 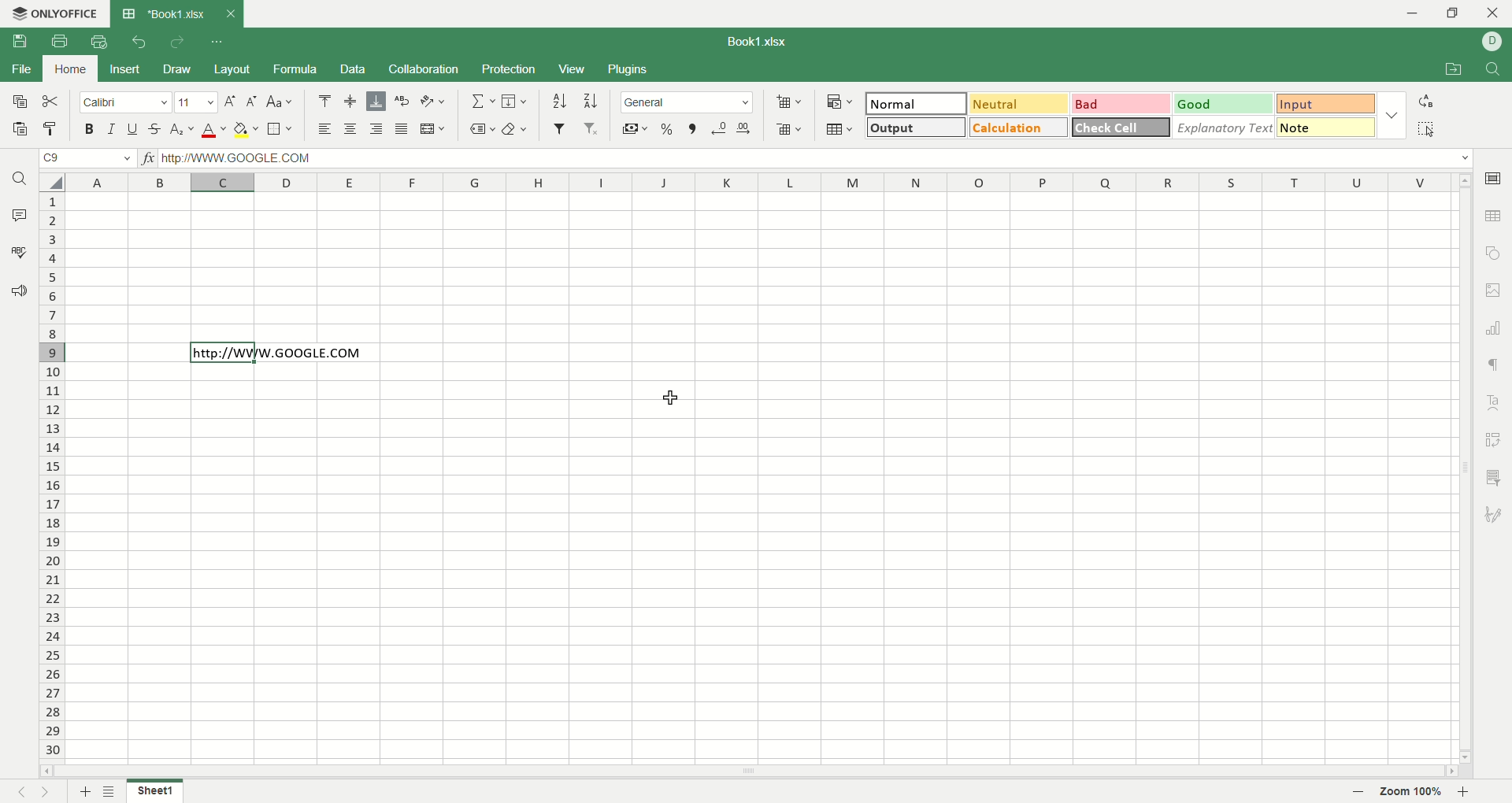 I want to click on strikethrough, so click(x=153, y=130).